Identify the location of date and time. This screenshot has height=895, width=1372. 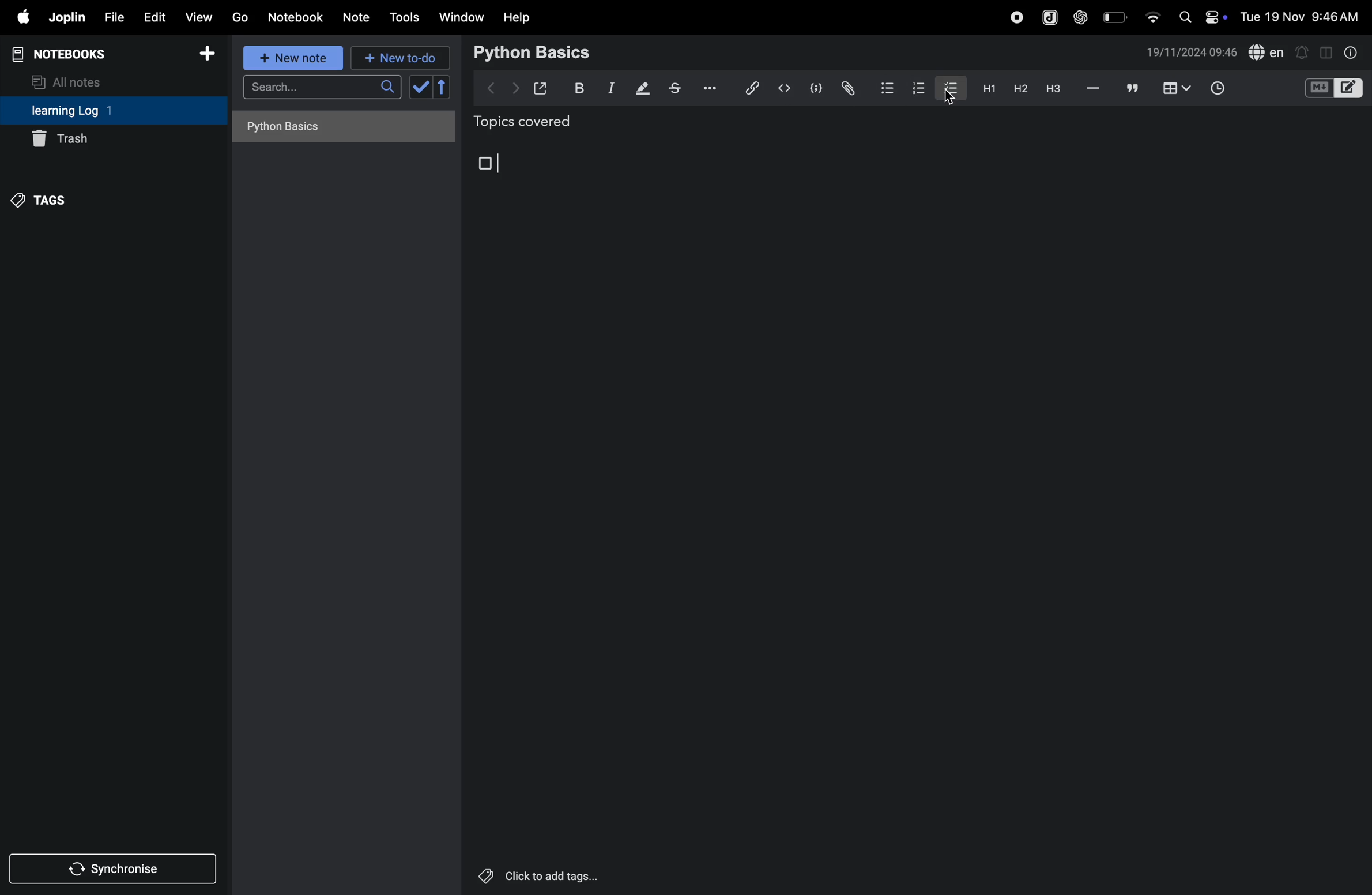
(1192, 52).